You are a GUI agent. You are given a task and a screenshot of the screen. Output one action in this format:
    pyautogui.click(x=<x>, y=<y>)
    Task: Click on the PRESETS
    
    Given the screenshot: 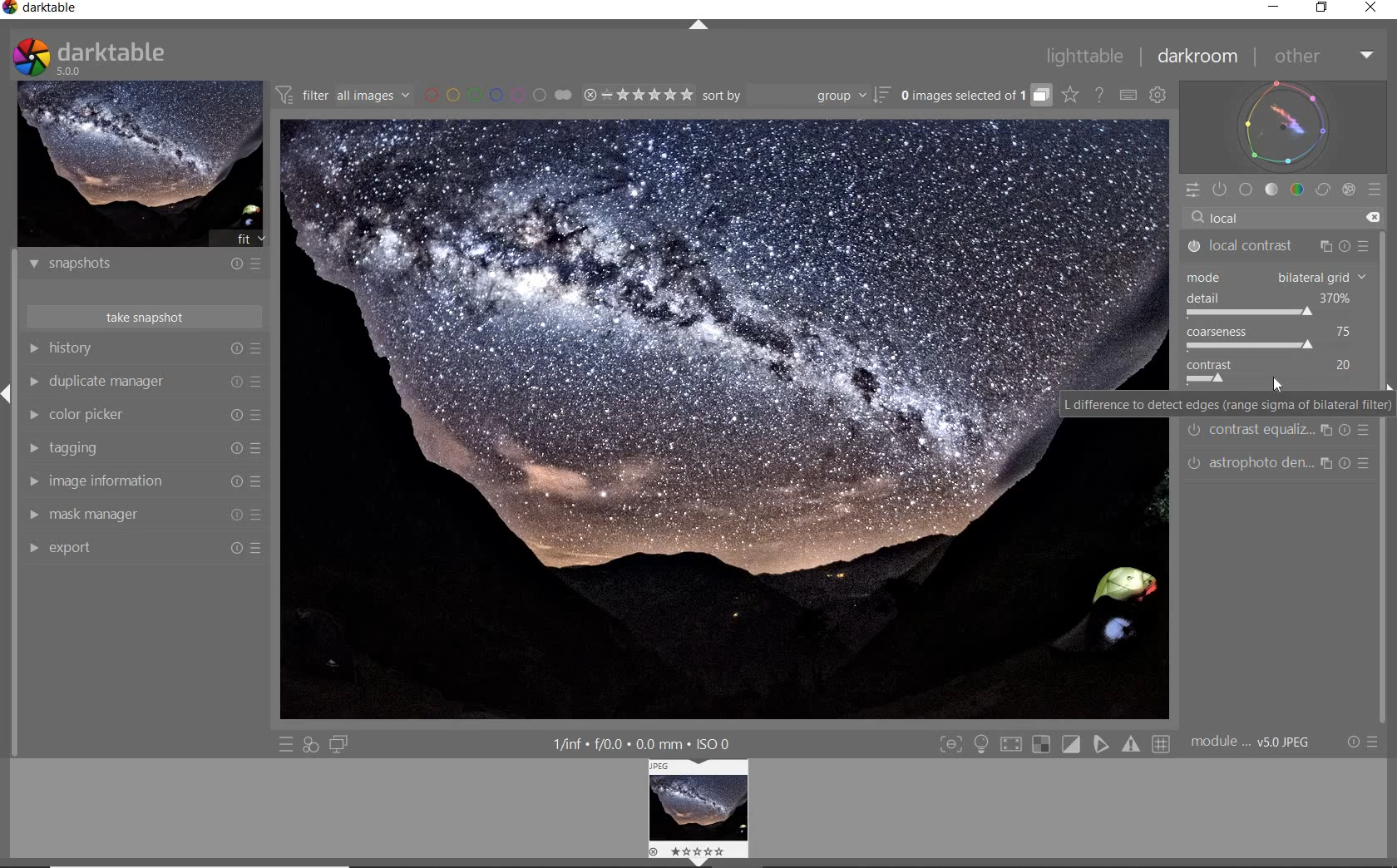 What is the action you would take?
    pyautogui.click(x=1375, y=192)
    